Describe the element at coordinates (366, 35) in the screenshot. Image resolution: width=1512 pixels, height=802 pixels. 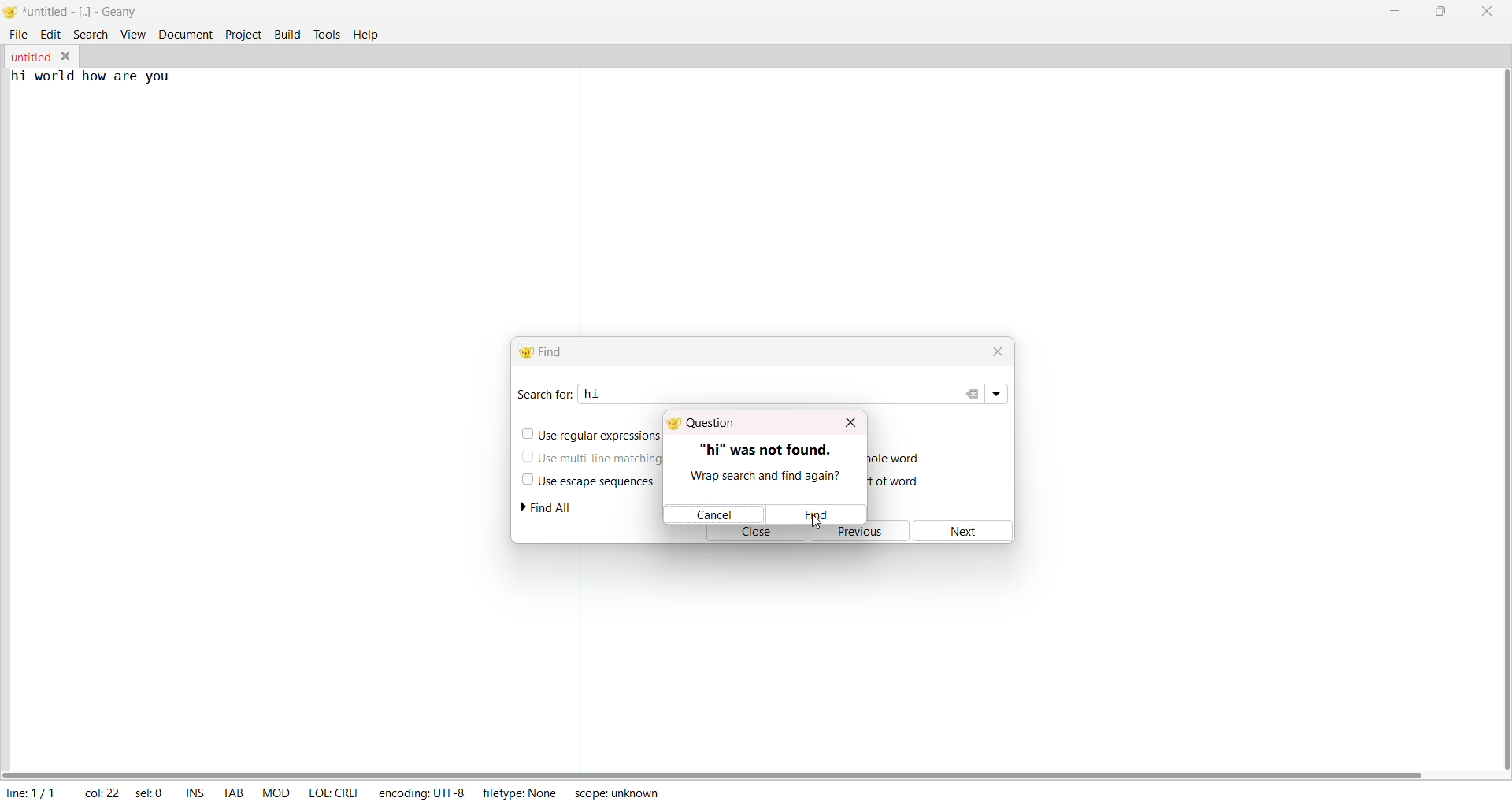
I see `help` at that location.